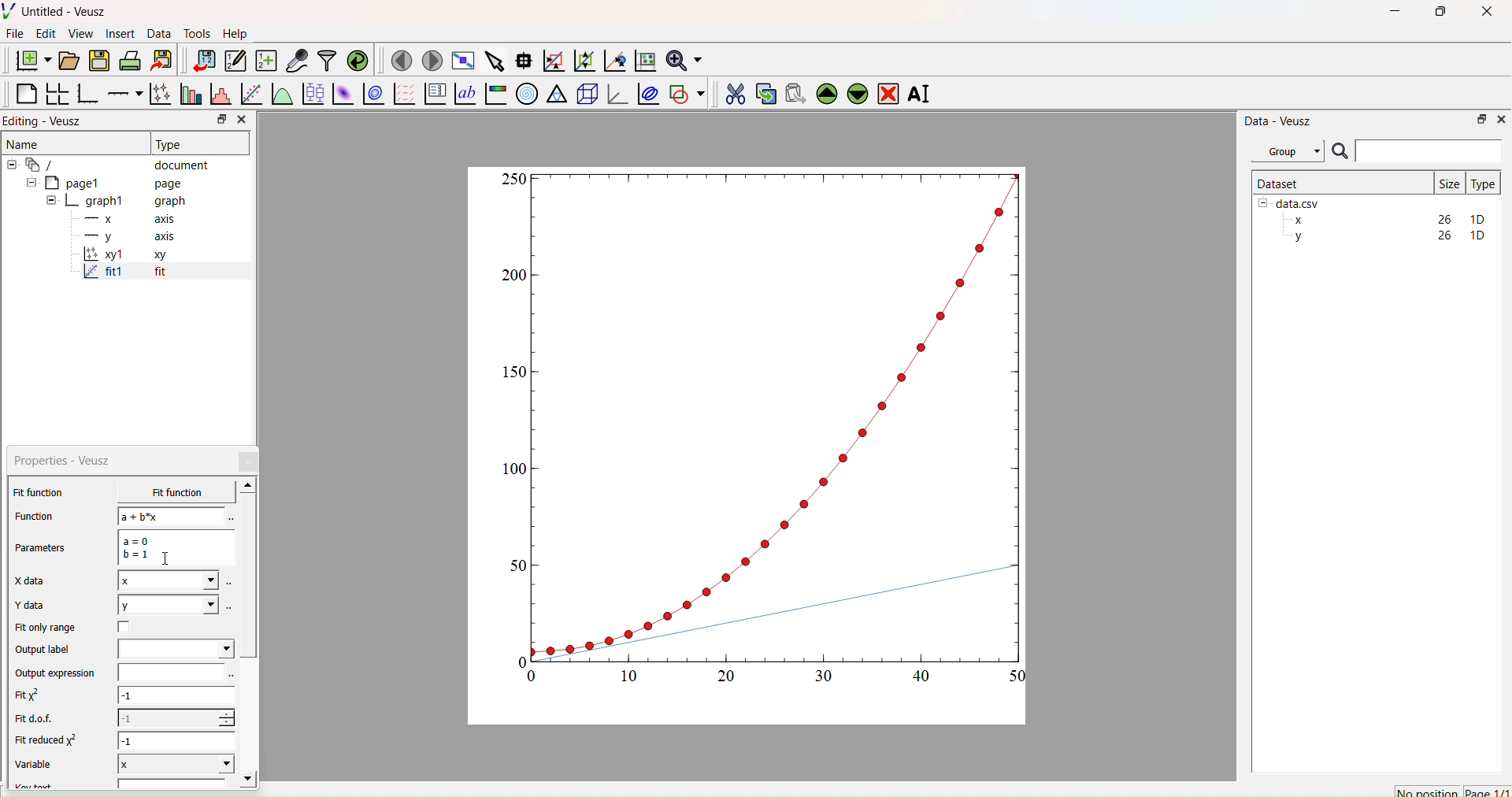  Describe the element at coordinates (241, 120) in the screenshot. I see `Close` at that location.